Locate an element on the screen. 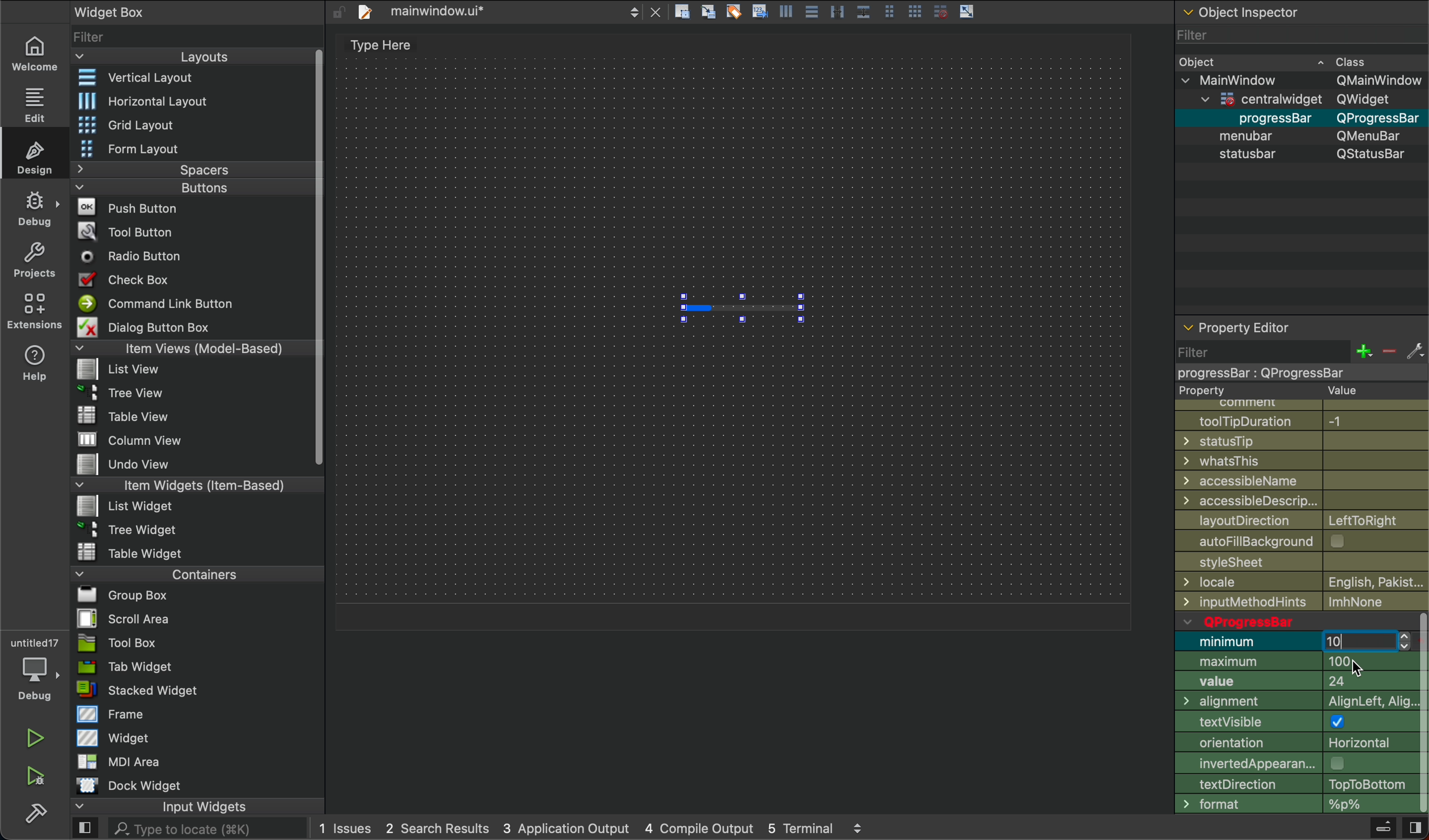 The height and width of the screenshot is (840, 1429). format is located at coordinates (1292, 805).